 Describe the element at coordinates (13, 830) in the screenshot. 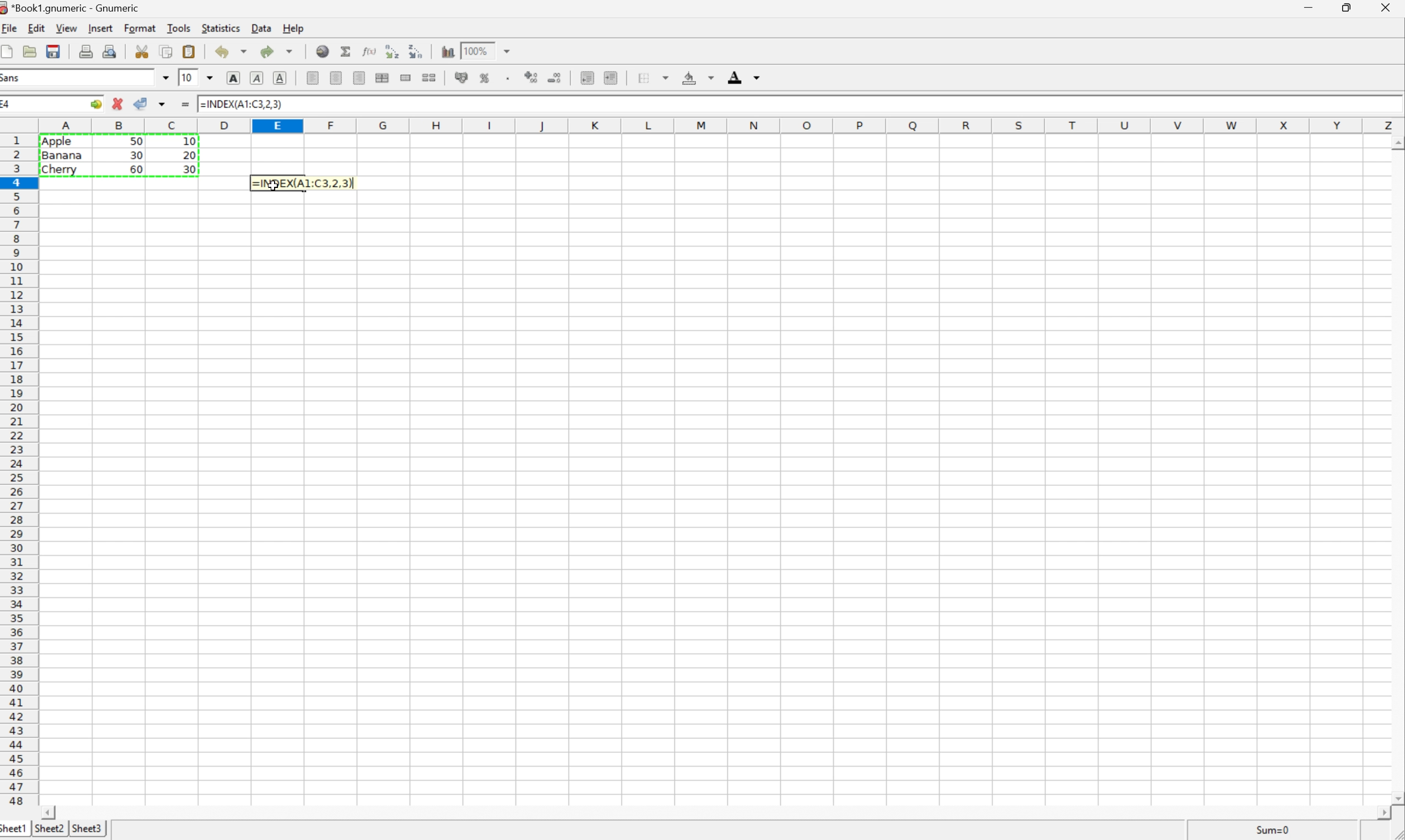

I see `sheet1` at that location.